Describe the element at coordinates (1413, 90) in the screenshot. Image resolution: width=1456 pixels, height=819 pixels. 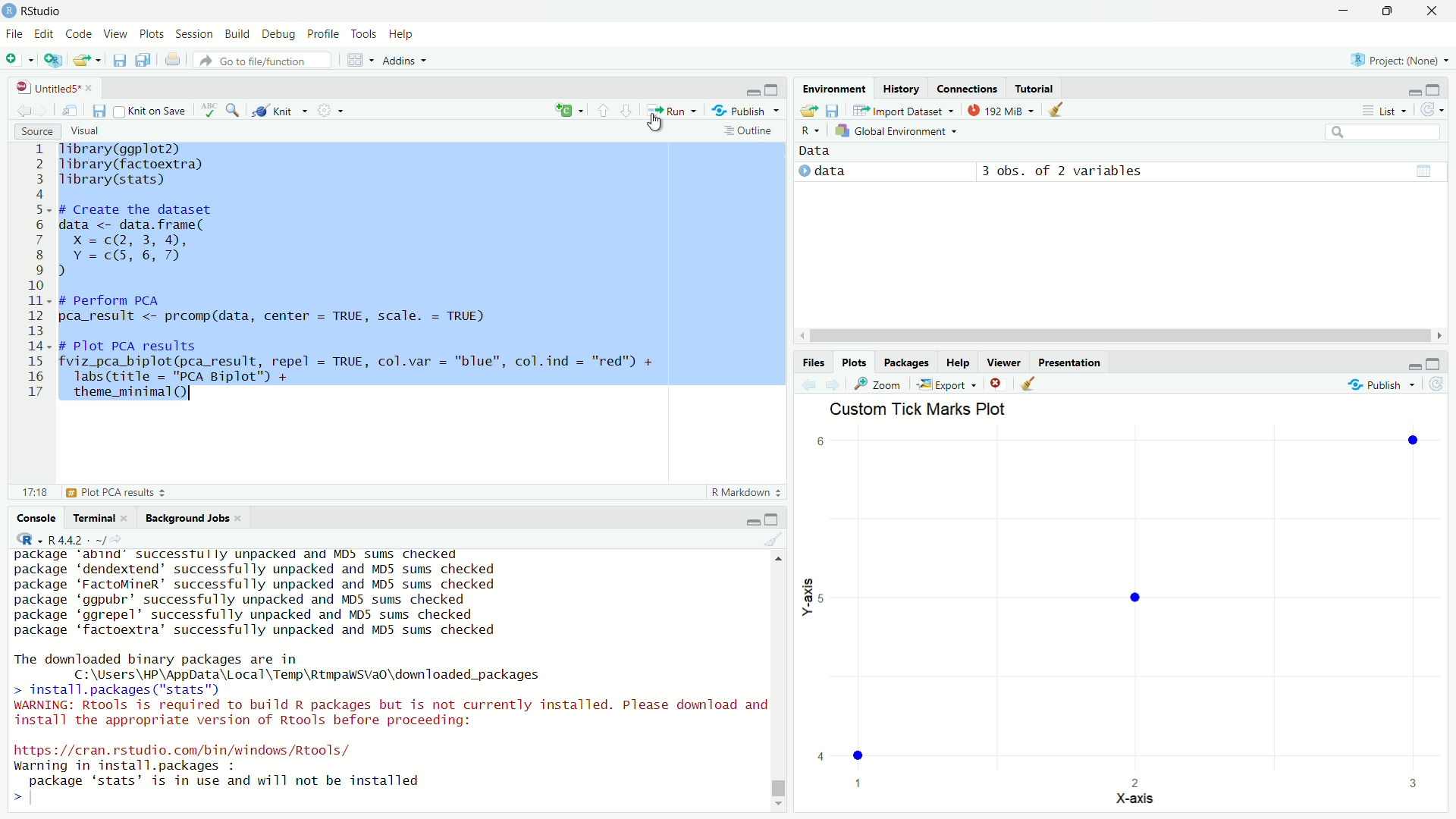
I see `minimize` at that location.